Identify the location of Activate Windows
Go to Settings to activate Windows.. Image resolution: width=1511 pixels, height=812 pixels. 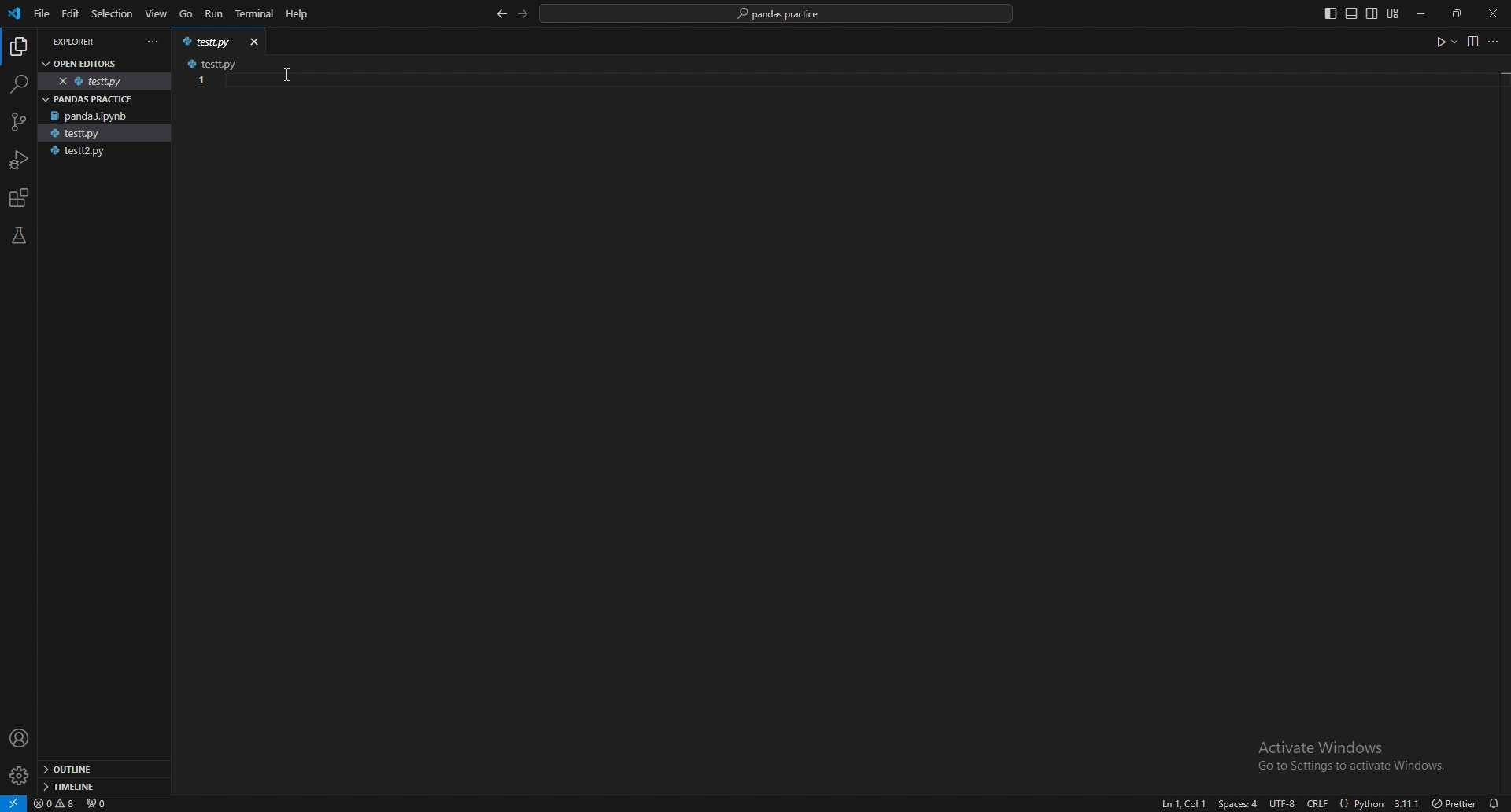
(1346, 755).